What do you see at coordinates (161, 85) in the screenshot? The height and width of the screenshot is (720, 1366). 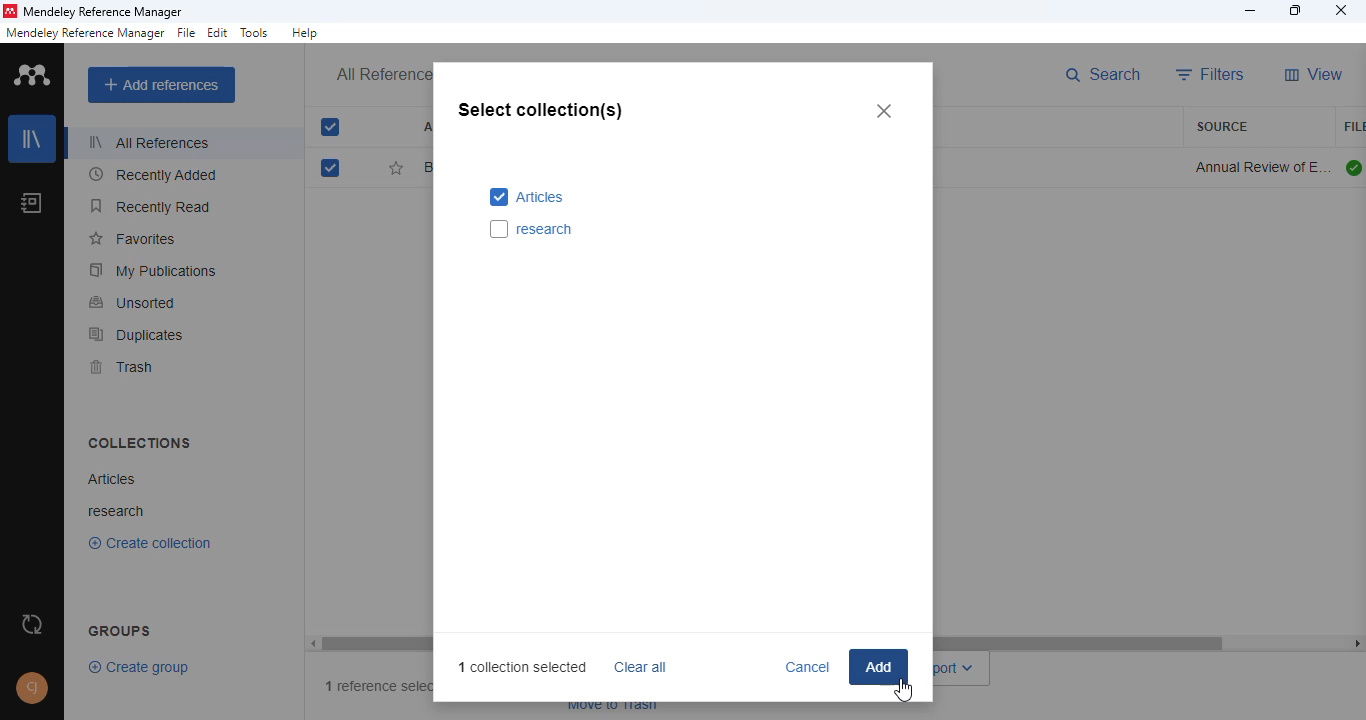 I see `add references` at bounding box center [161, 85].